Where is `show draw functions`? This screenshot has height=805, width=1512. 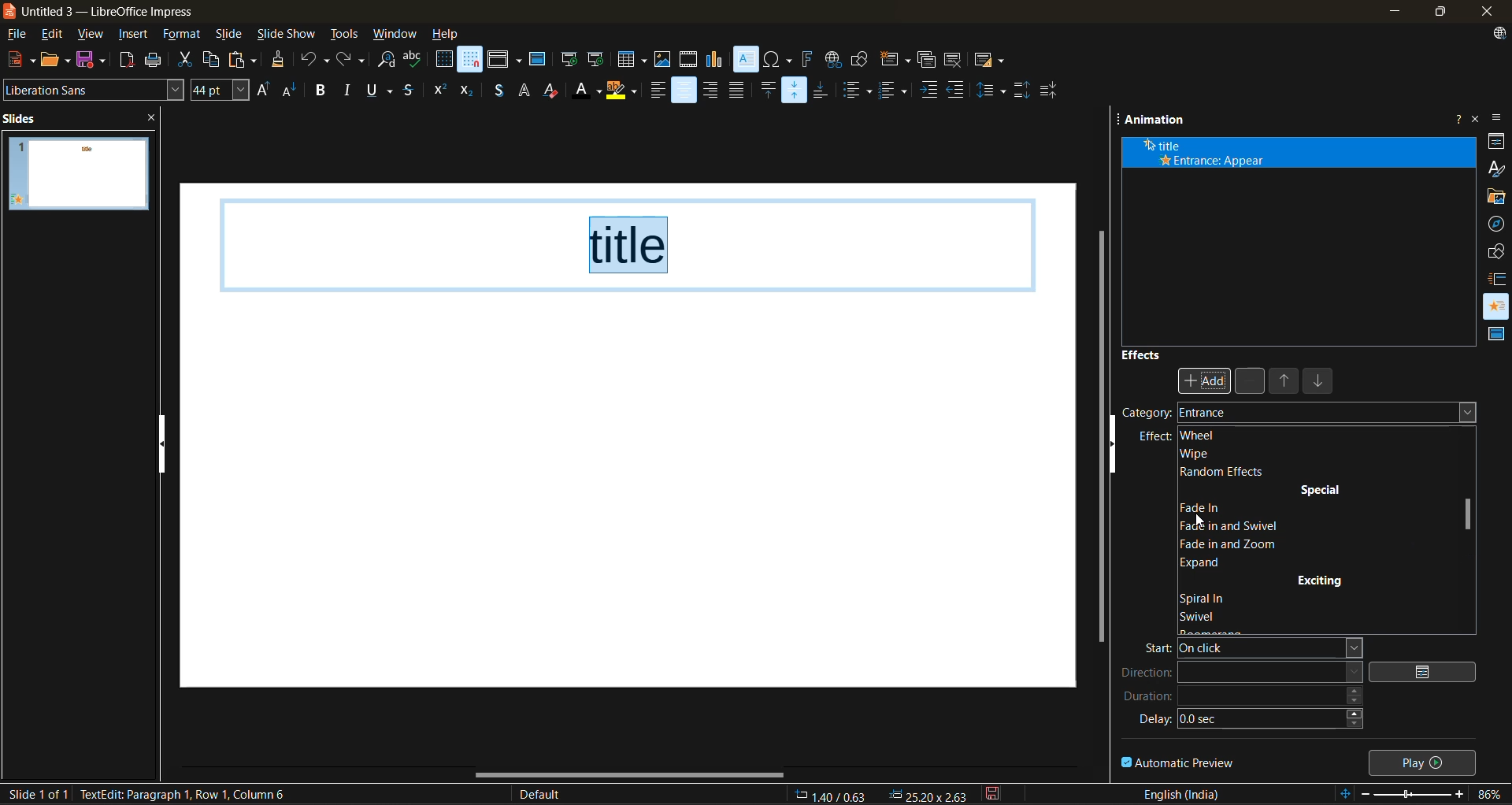 show draw functions is located at coordinates (861, 57).